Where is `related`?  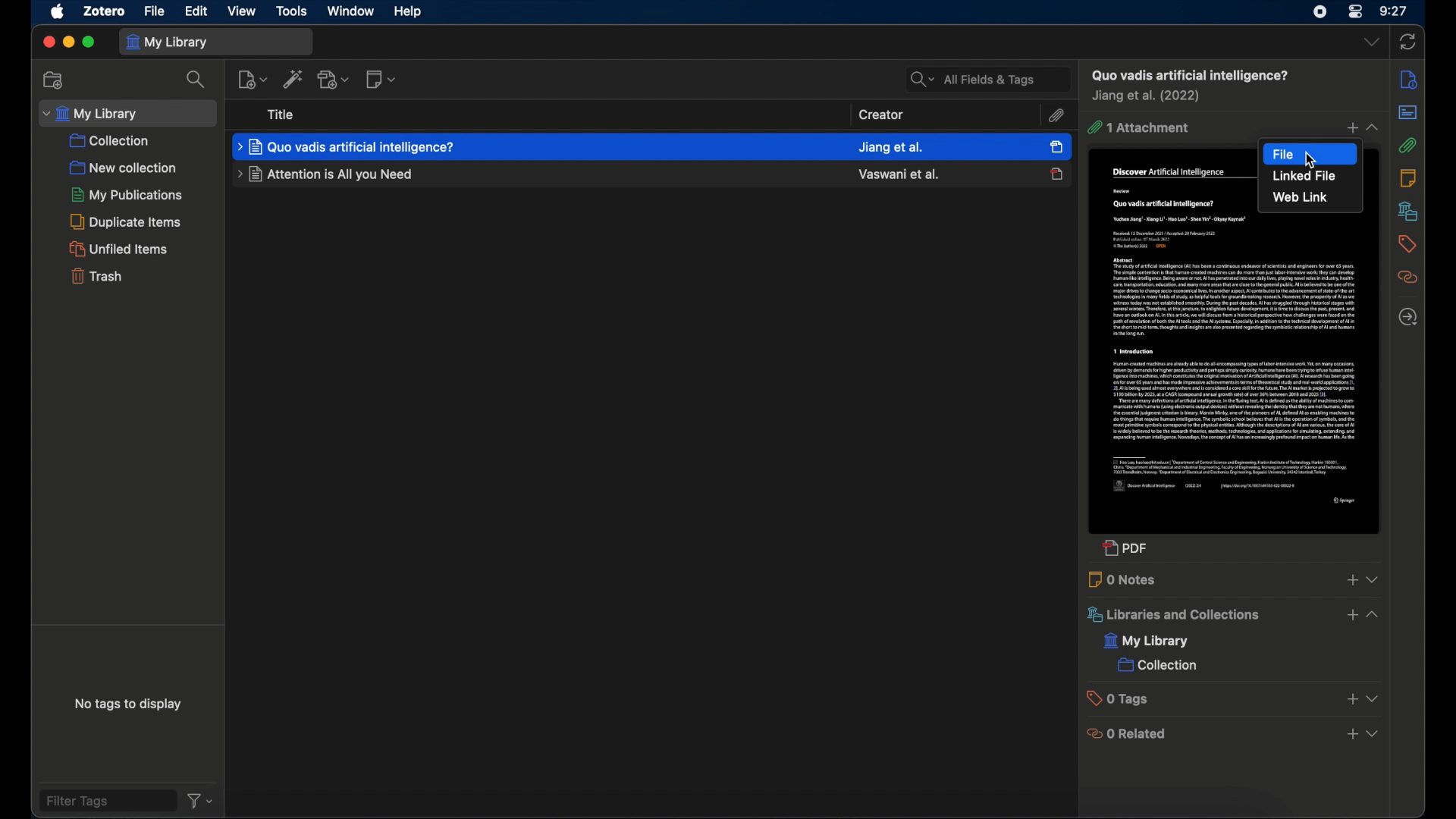
related is located at coordinates (1407, 278).